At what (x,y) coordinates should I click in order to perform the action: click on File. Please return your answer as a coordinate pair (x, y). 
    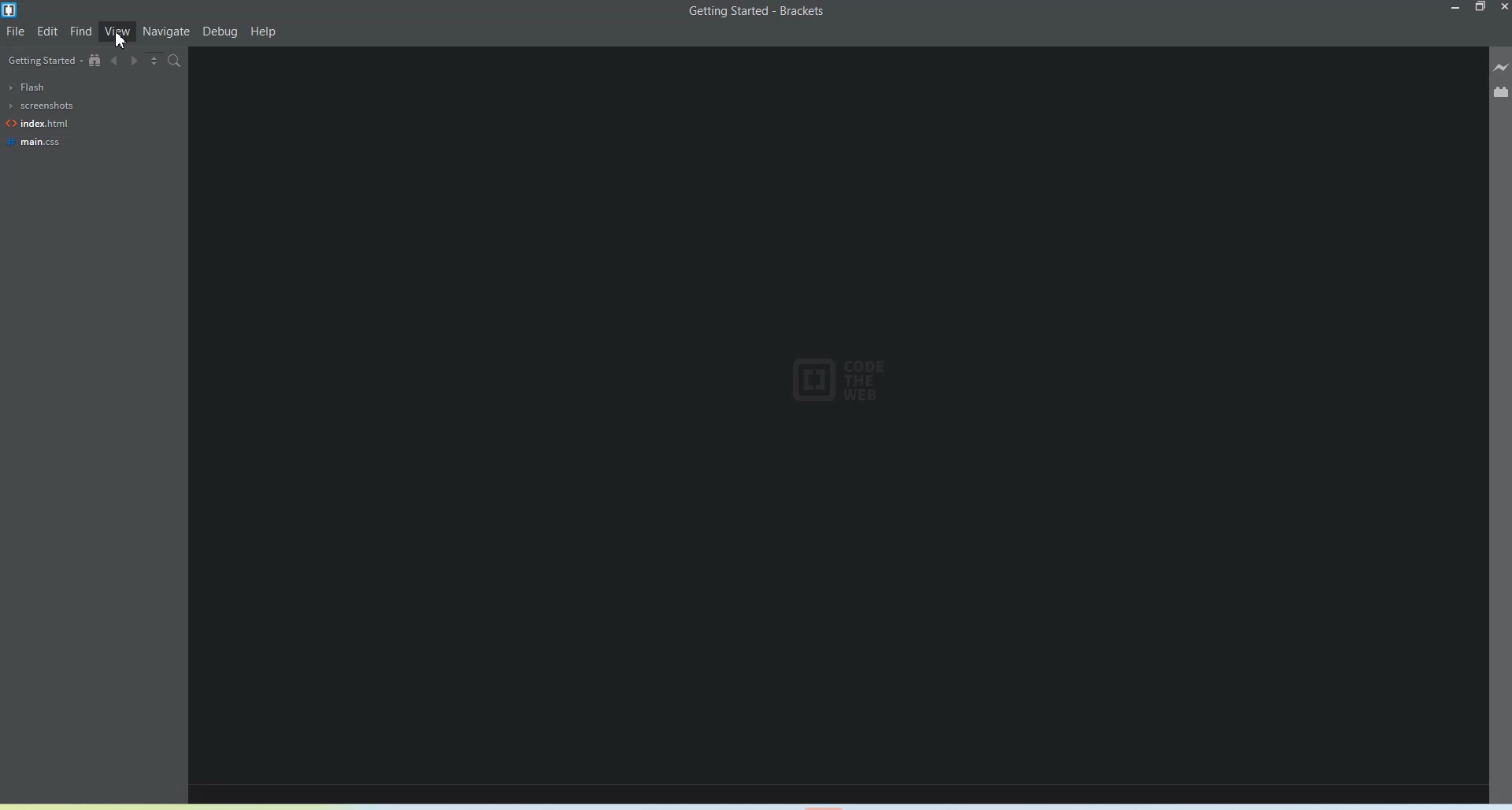
    Looking at the image, I should click on (16, 32).